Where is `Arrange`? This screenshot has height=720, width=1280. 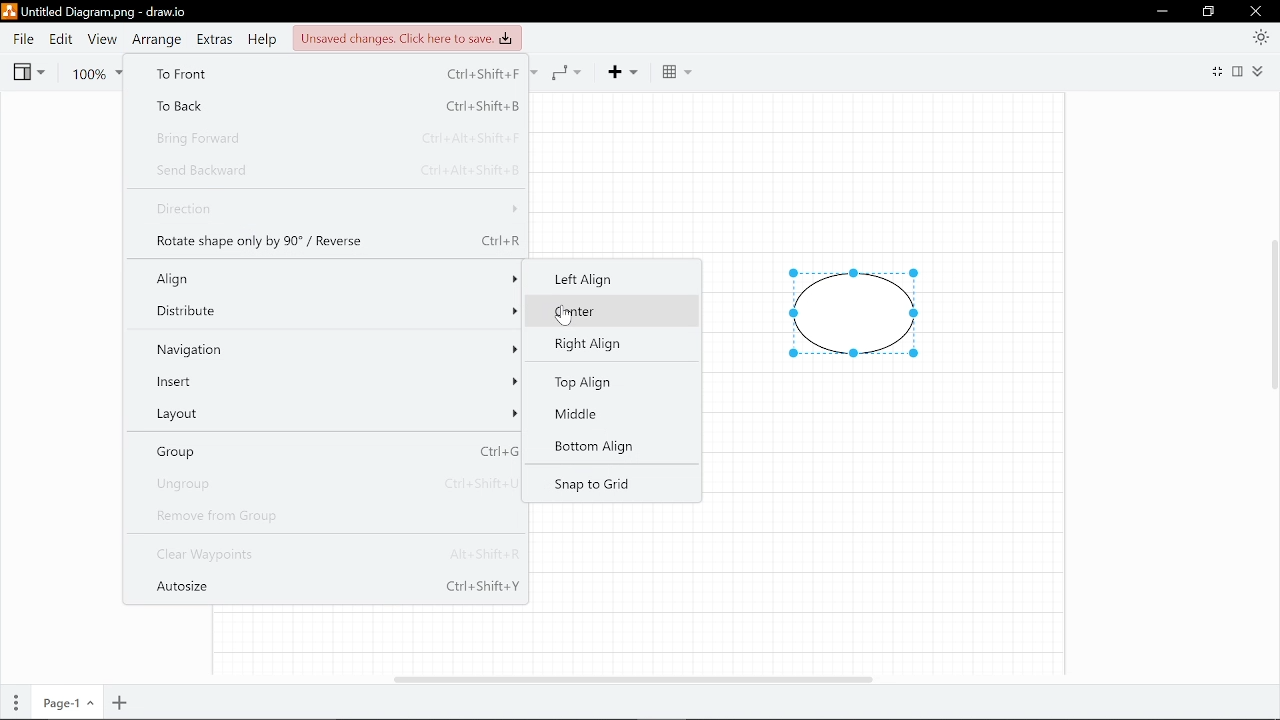
Arrange is located at coordinates (155, 39).